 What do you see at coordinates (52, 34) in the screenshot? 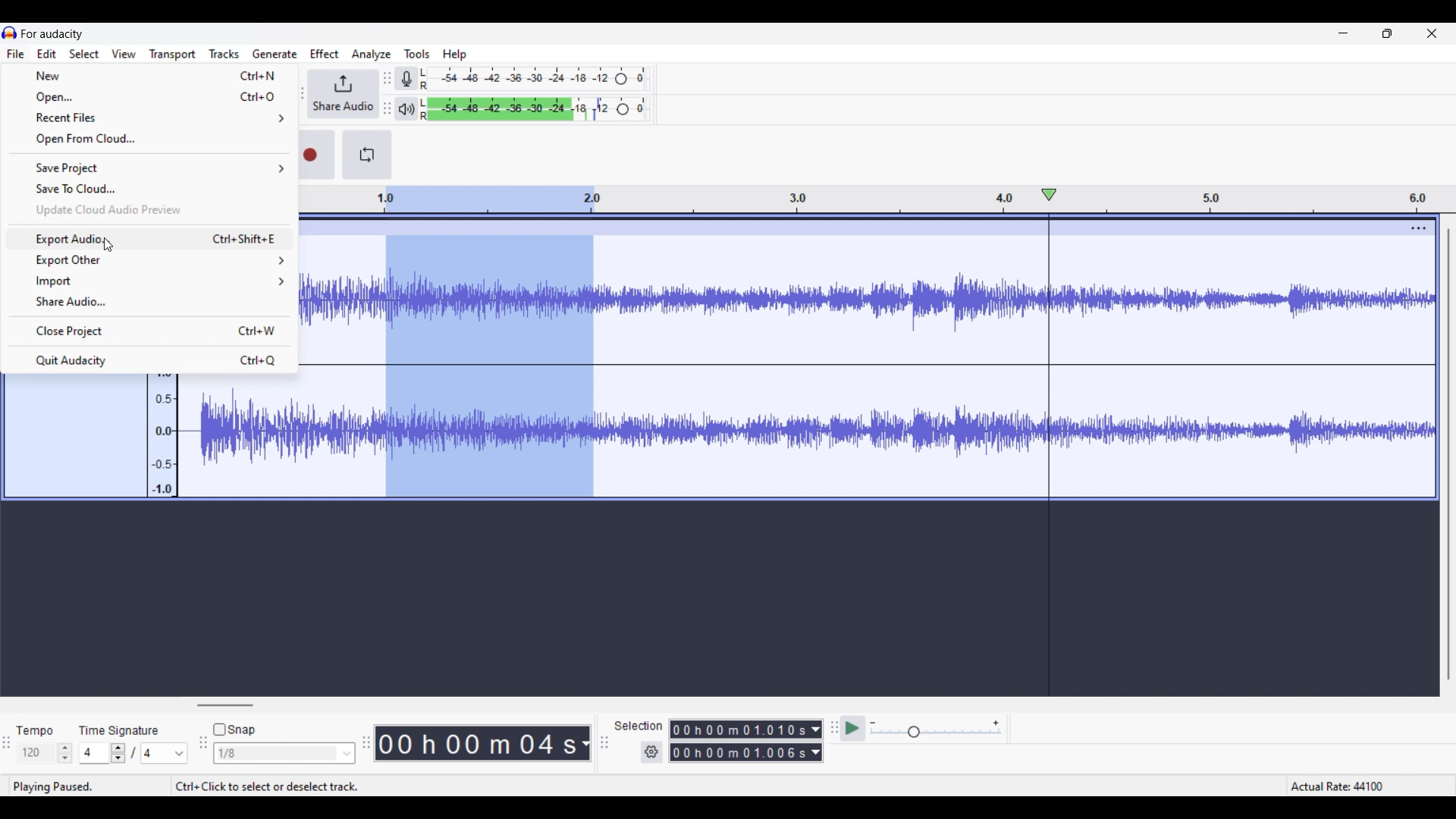
I see `Software name` at bounding box center [52, 34].